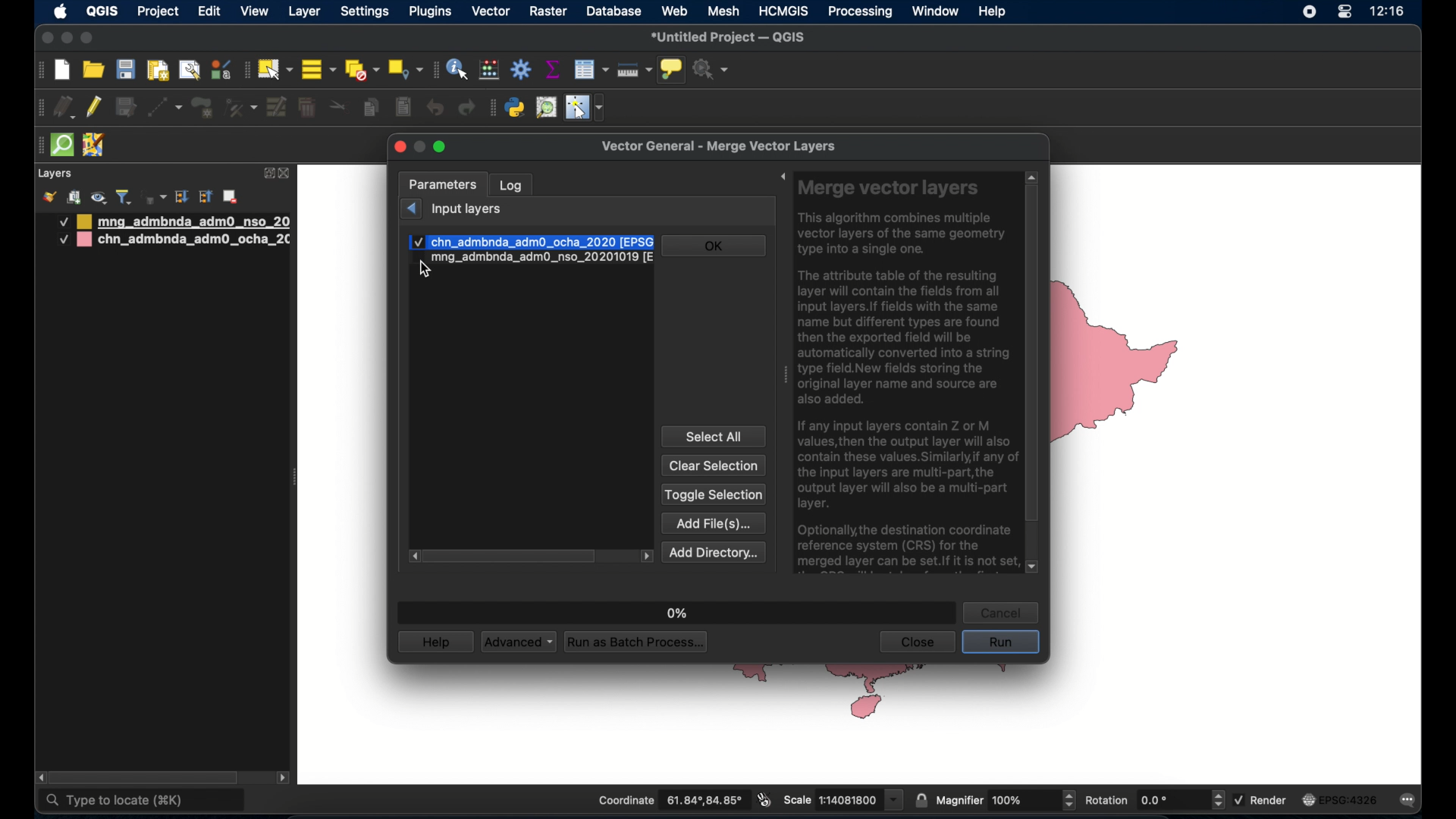 This screenshot has height=819, width=1456. I want to click on help, so click(436, 642).